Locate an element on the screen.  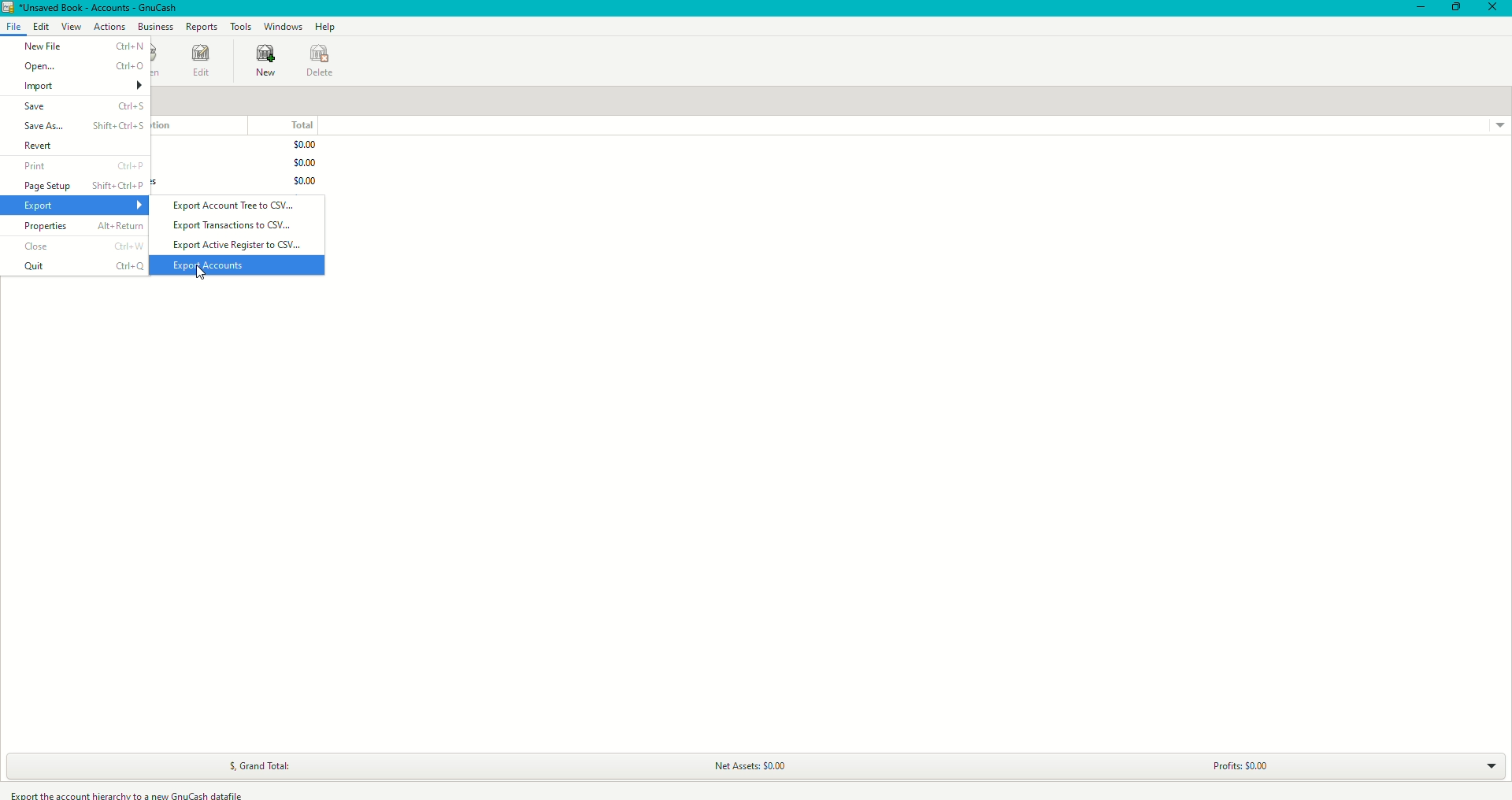
Unnamed Book - Accounts - GnuCash is located at coordinates (95, 8).